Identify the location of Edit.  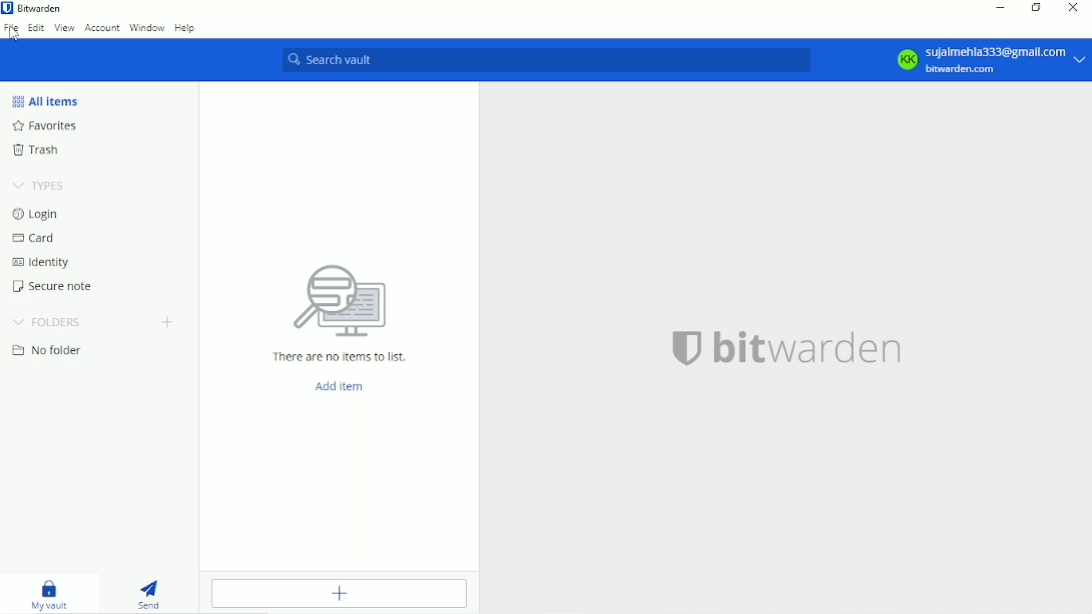
(34, 29).